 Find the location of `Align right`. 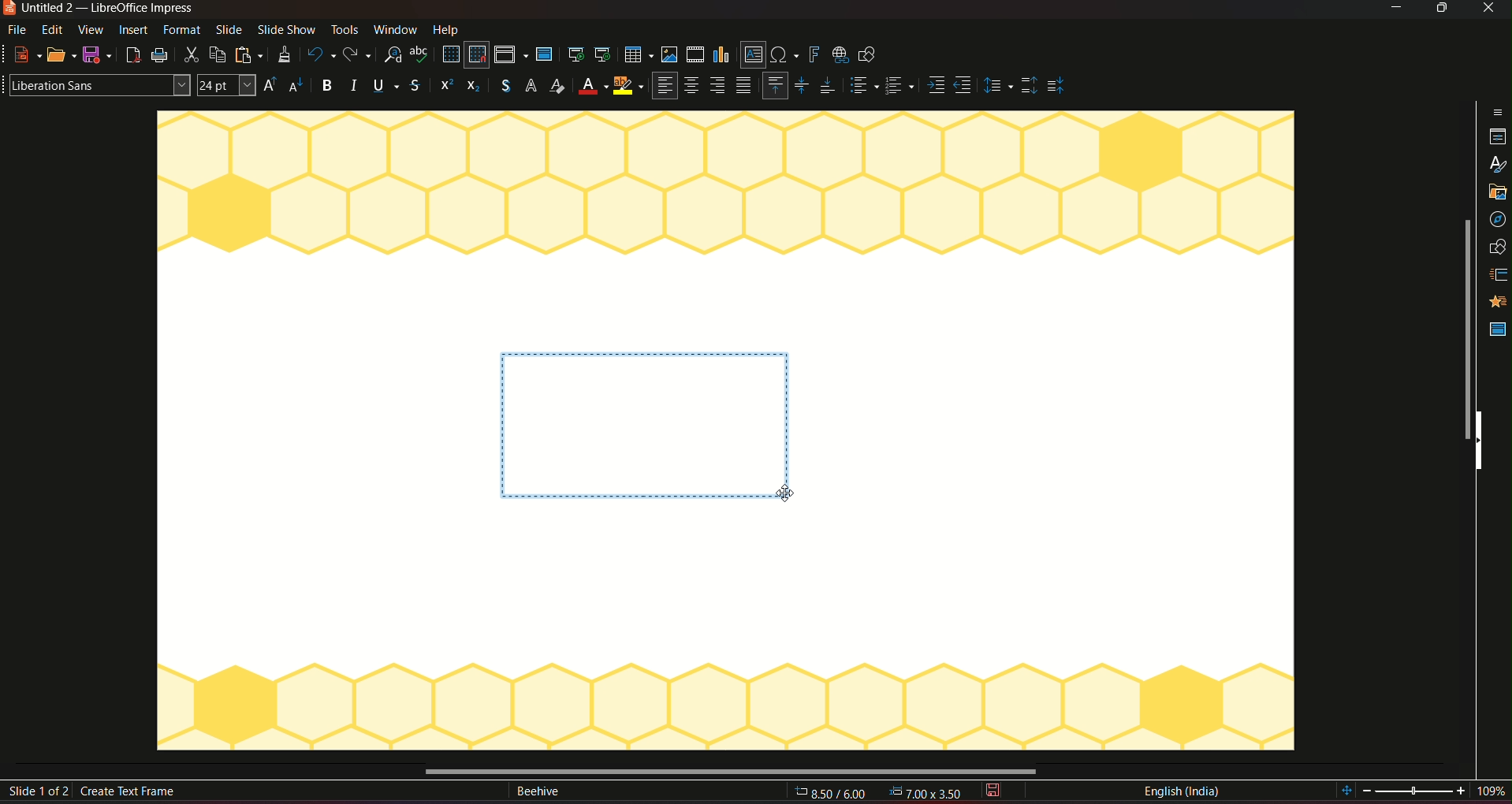

Align right is located at coordinates (721, 86).